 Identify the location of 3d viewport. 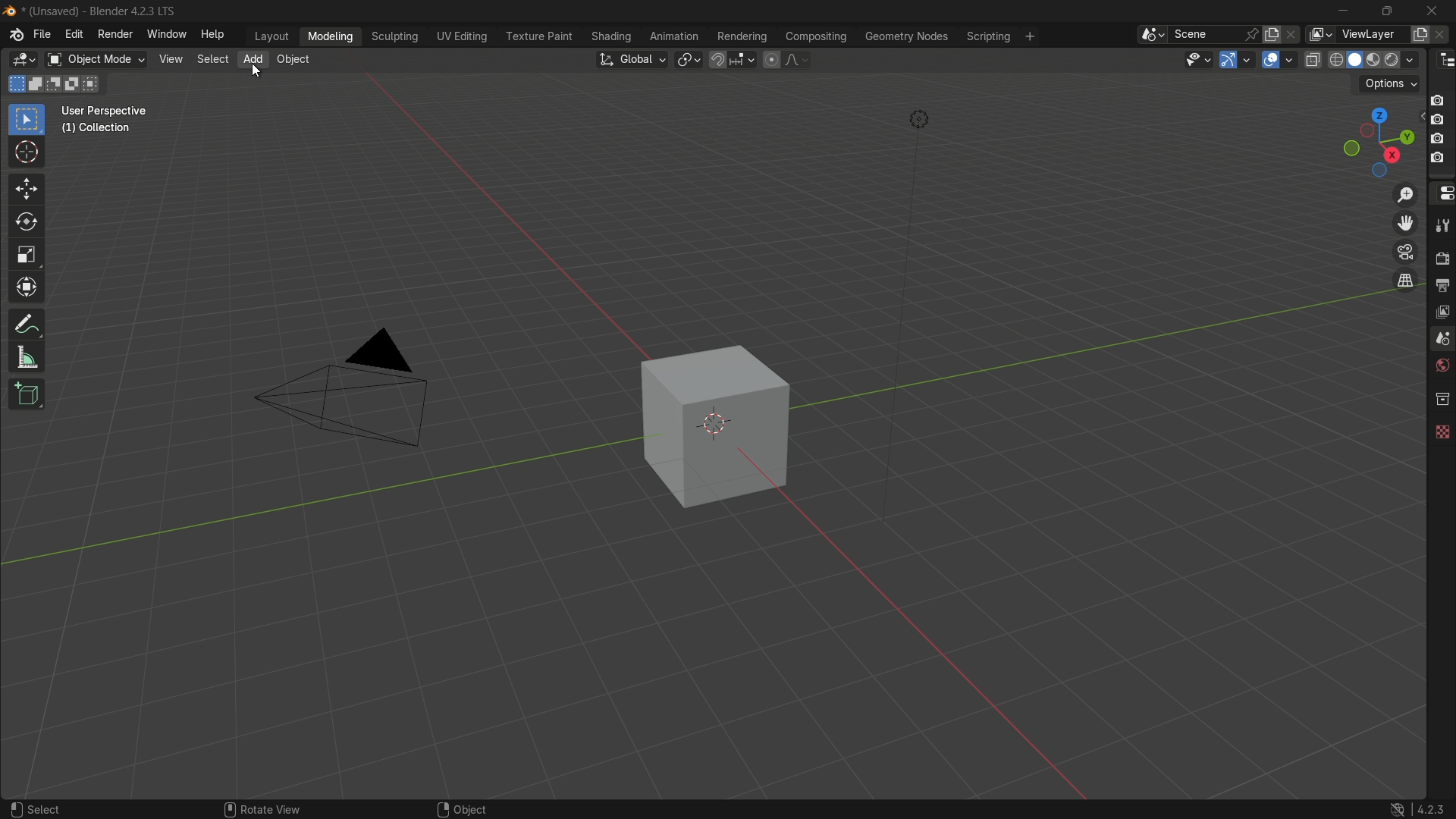
(20, 60).